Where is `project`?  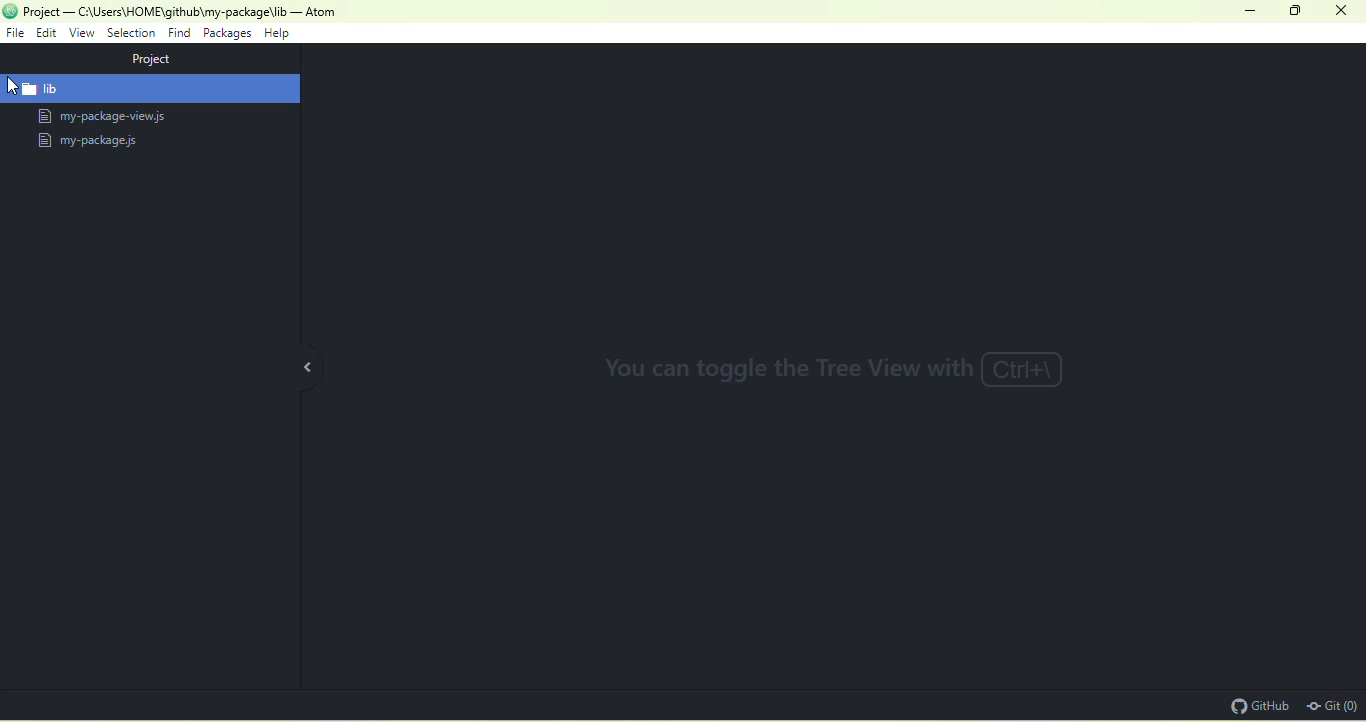 project is located at coordinates (162, 58).